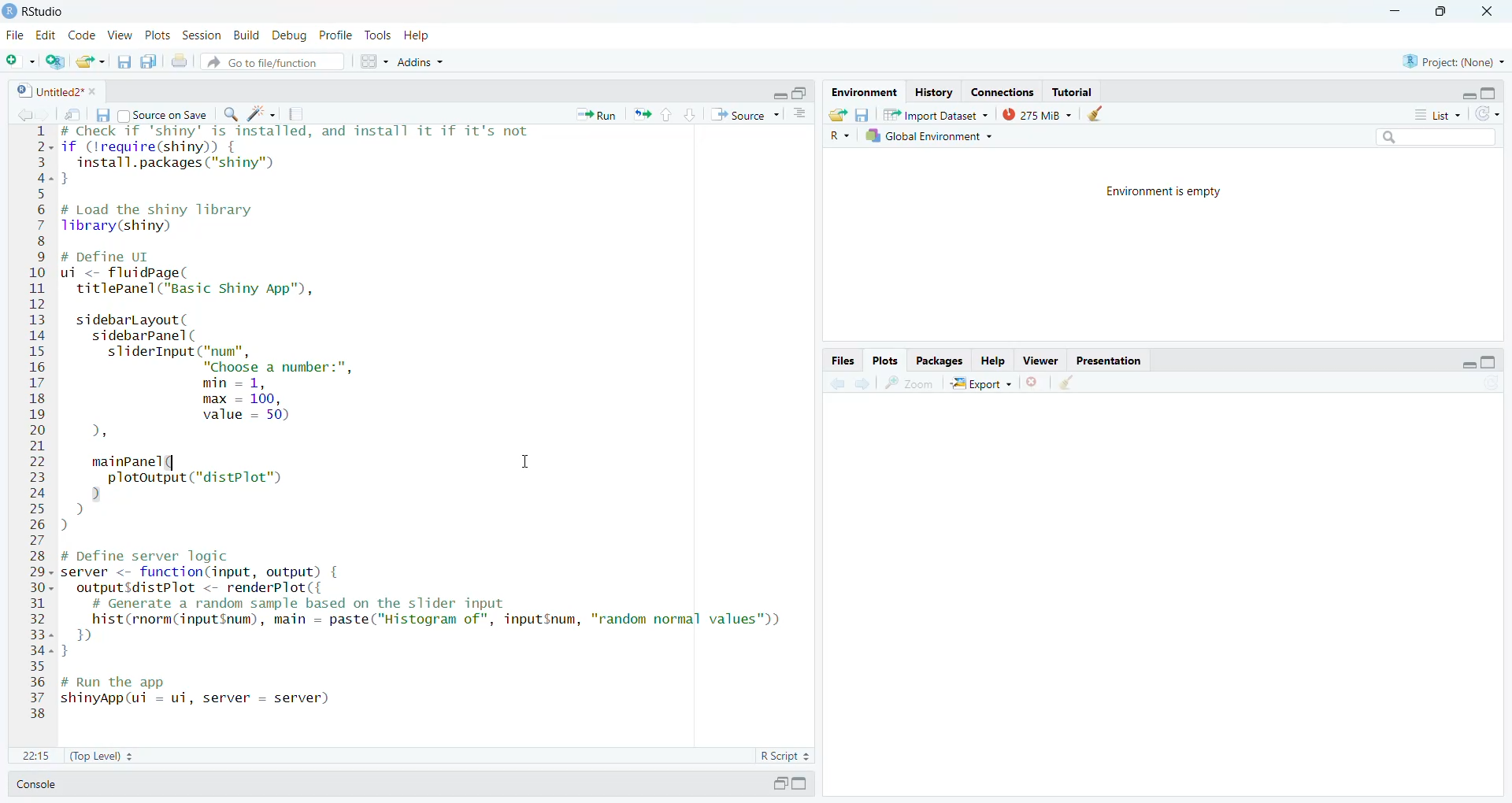 The height and width of the screenshot is (803, 1512). What do you see at coordinates (1488, 113) in the screenshot?
I see `refresh` at bounding box center [1488, 113].